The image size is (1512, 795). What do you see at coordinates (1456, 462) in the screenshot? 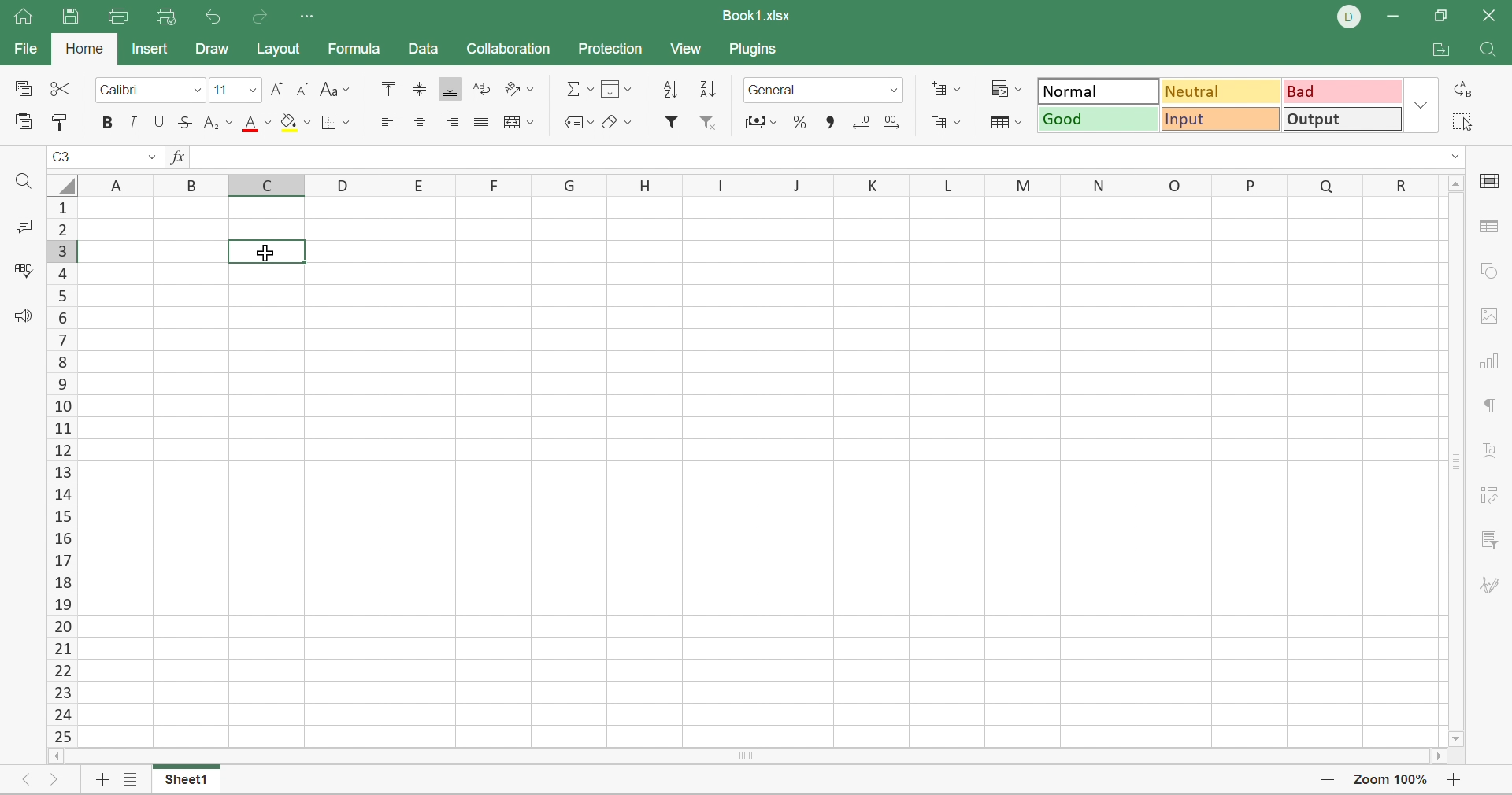
I see `Scroll Bar` at bounding box center [1456, 462].